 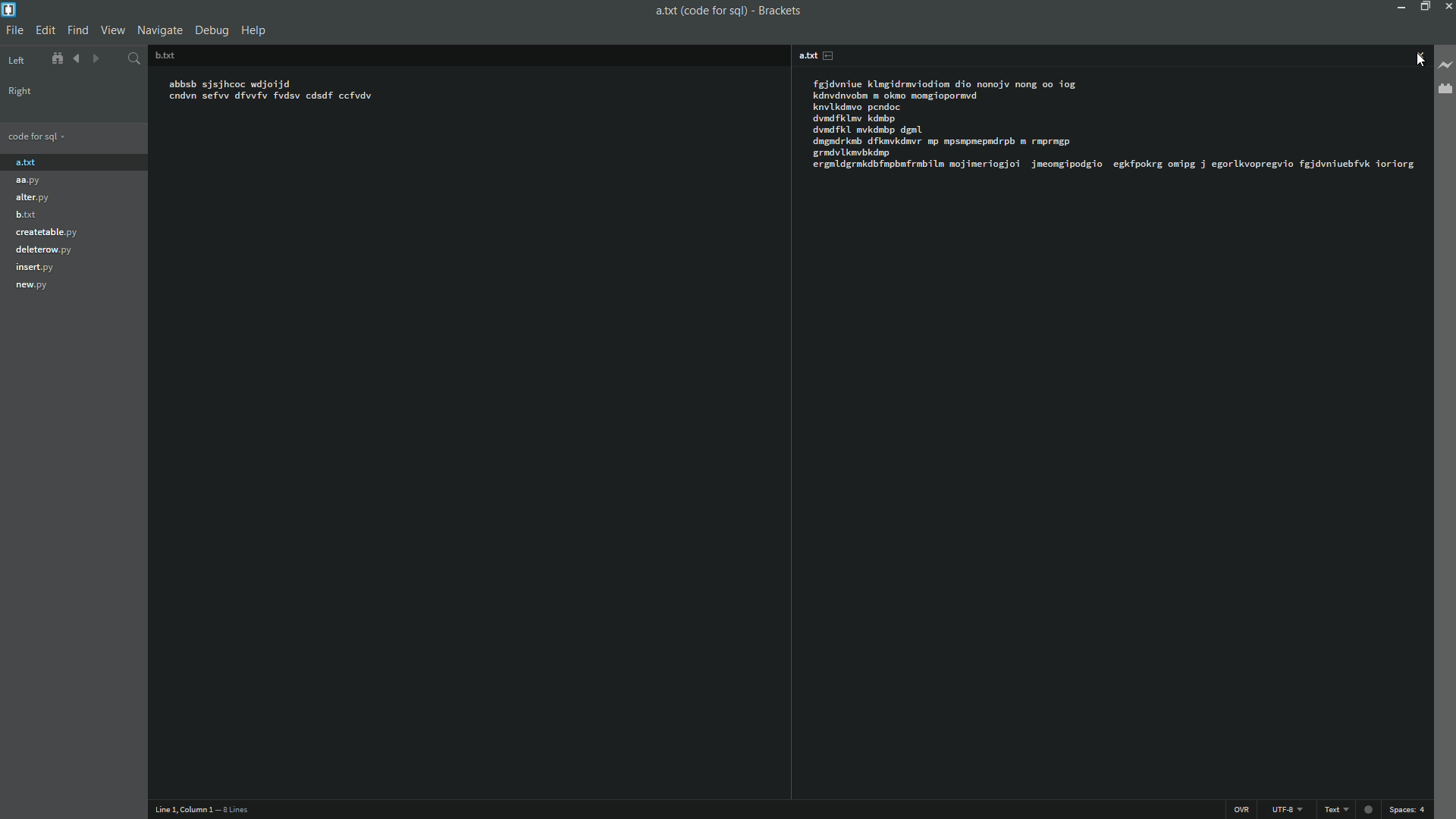 I want to click on left, so click(x=17, y=61).